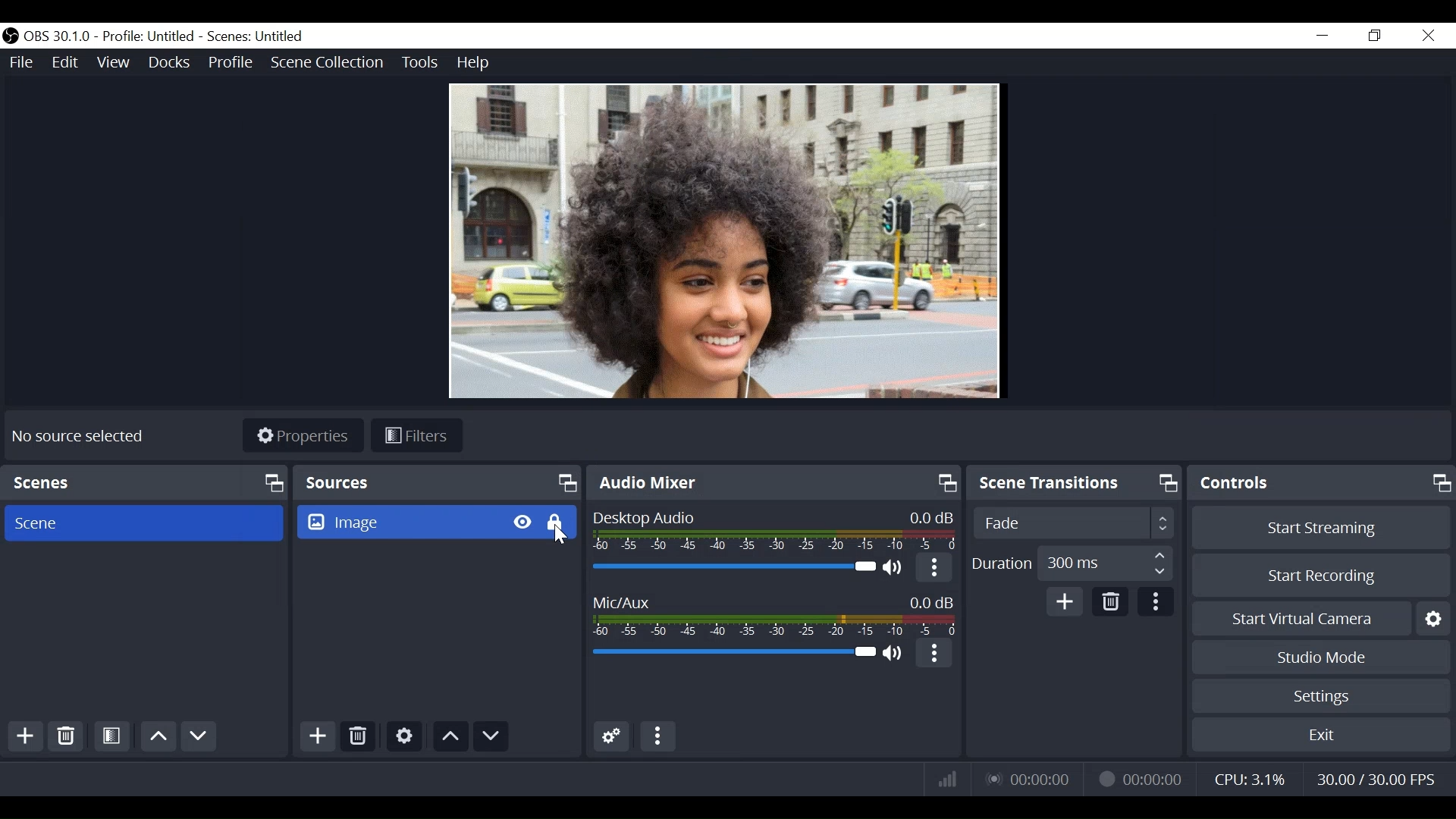 Image resolution: width=1456 pixels, height=819 pixels. I want to click on Exit, so click(1320, 736).